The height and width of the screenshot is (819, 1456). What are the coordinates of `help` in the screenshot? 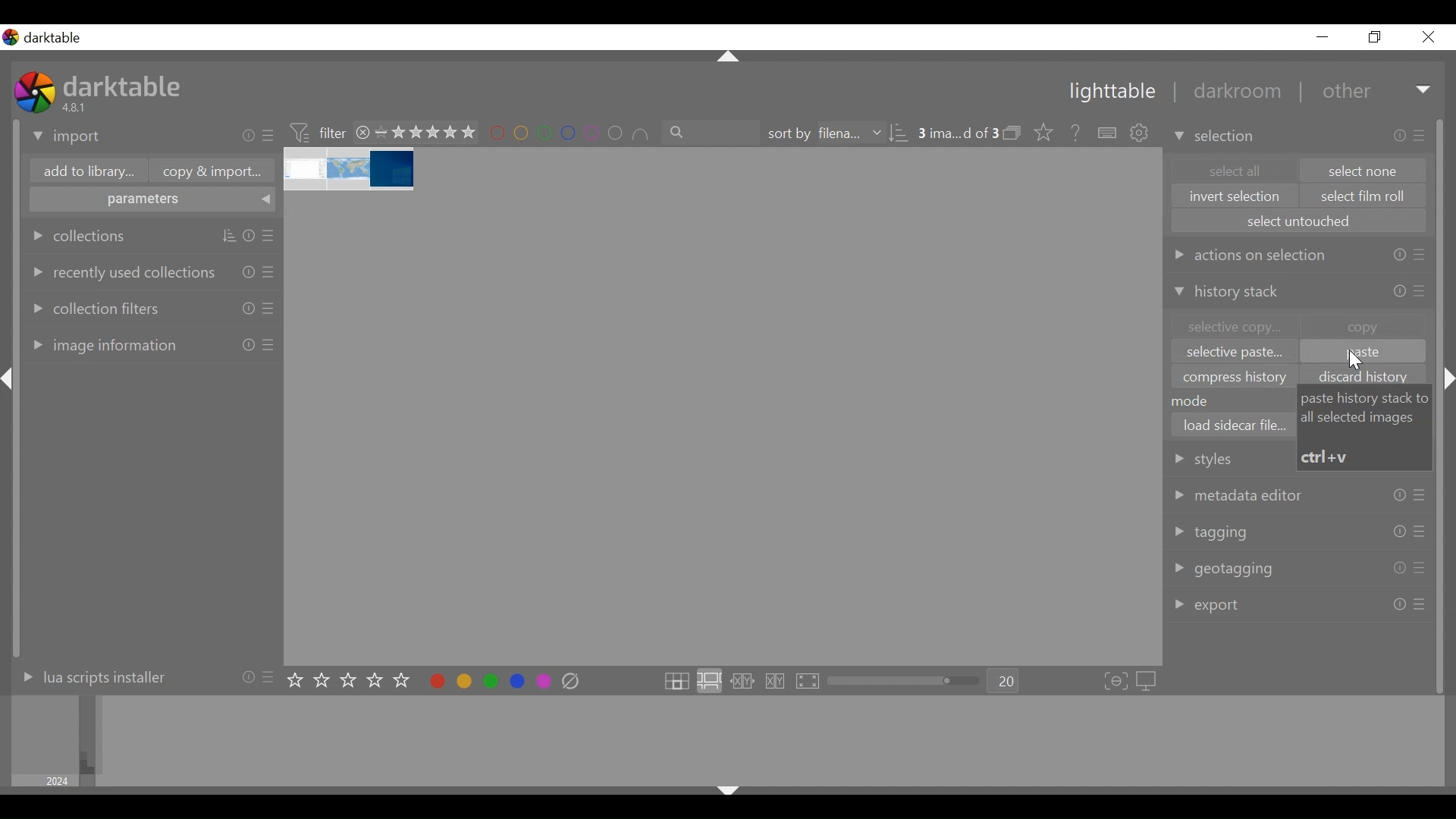 It's located at (1071, 133).